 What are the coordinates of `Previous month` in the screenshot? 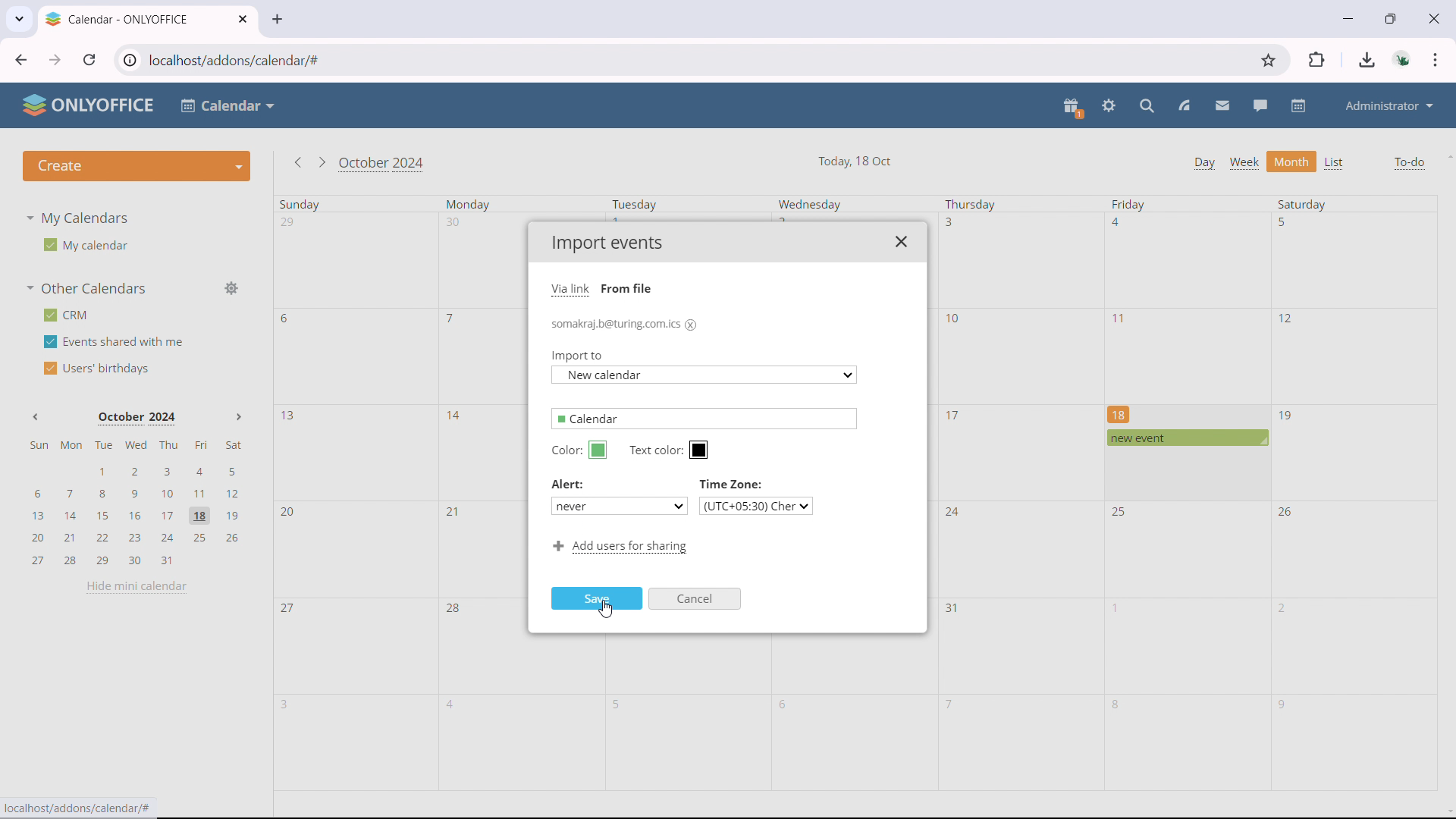 It's located at (34, 418).